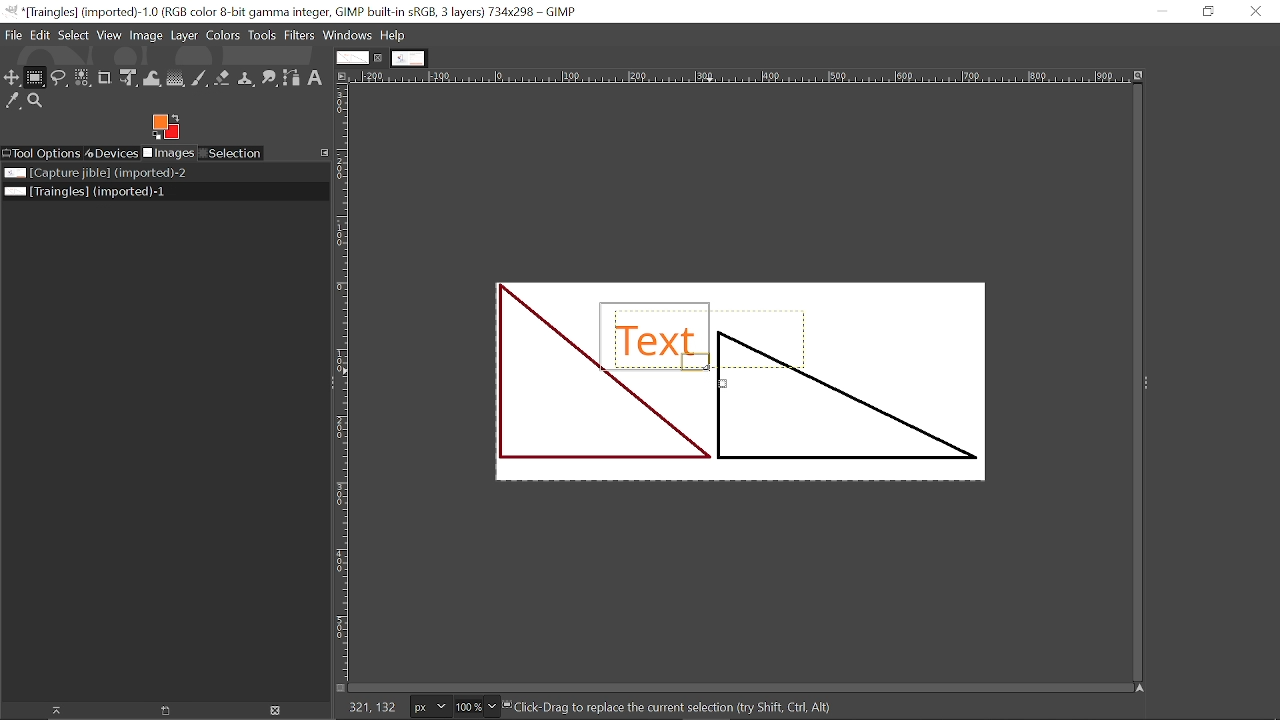  I want to click on Selected text, so click(638, 326).